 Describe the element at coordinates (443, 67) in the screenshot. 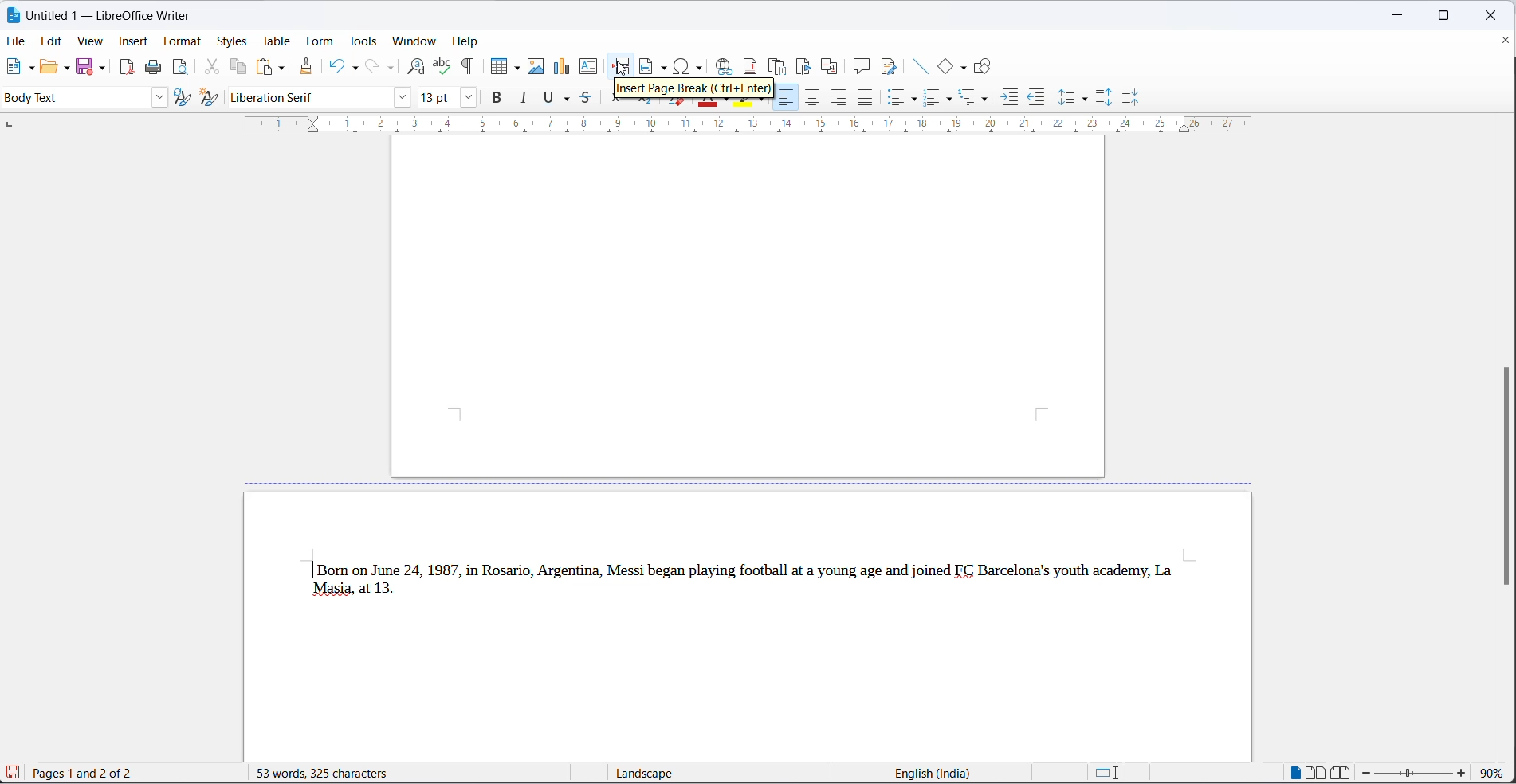

I see `spellings` at that location.